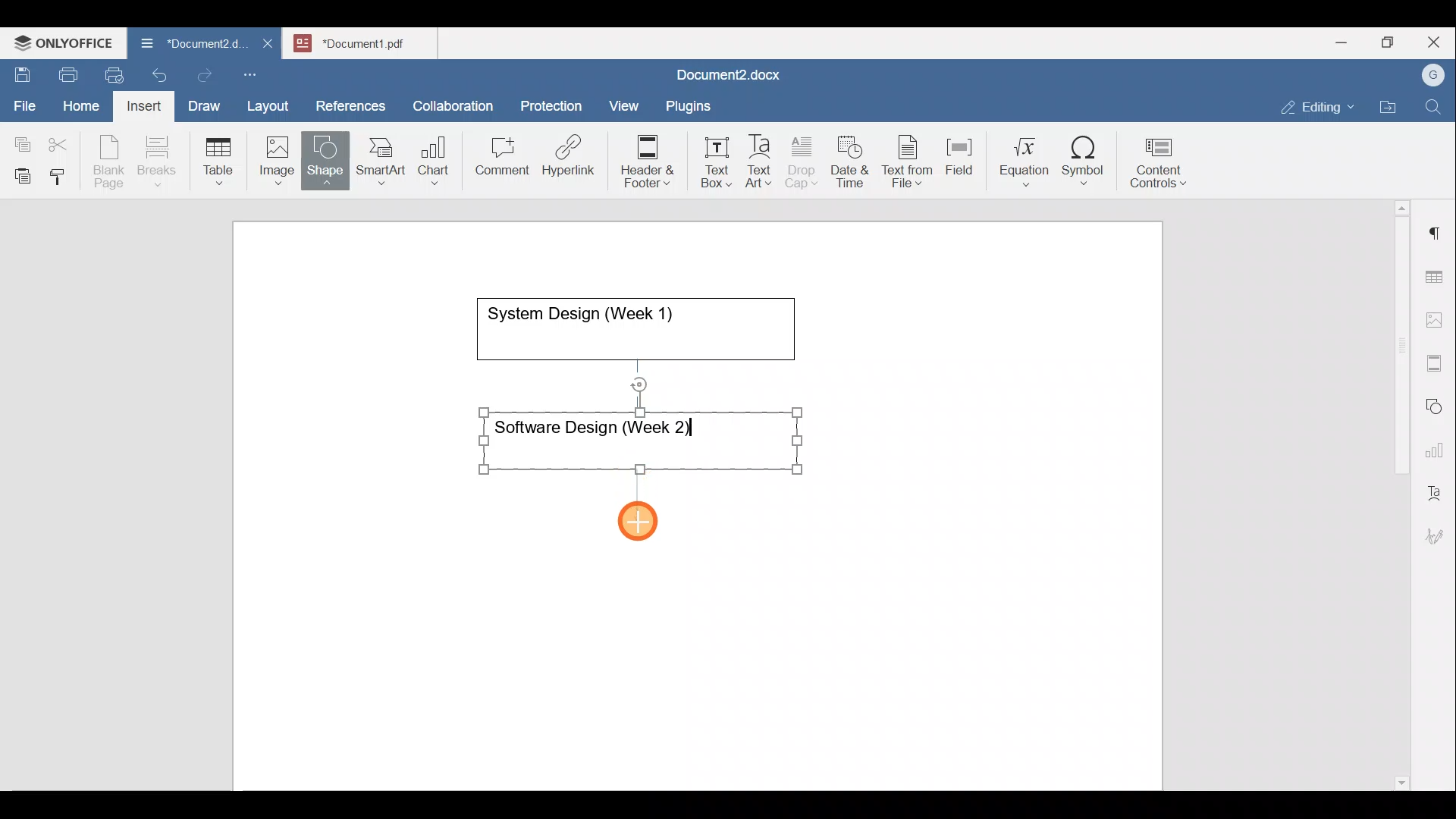  What do you see at coordinates (350, 104) in the screenshot?
I see `References` at bounding box center [350, 104].